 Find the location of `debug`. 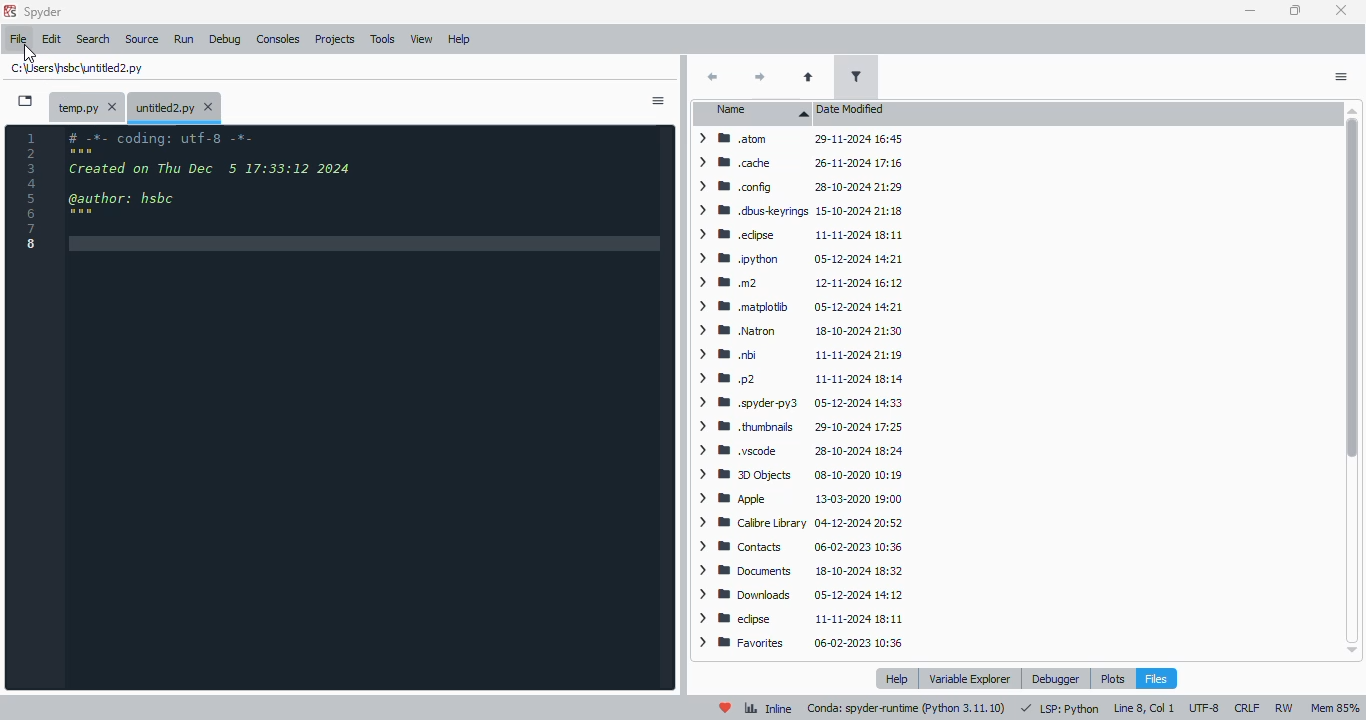

debug is located at coordinates (225, 39).